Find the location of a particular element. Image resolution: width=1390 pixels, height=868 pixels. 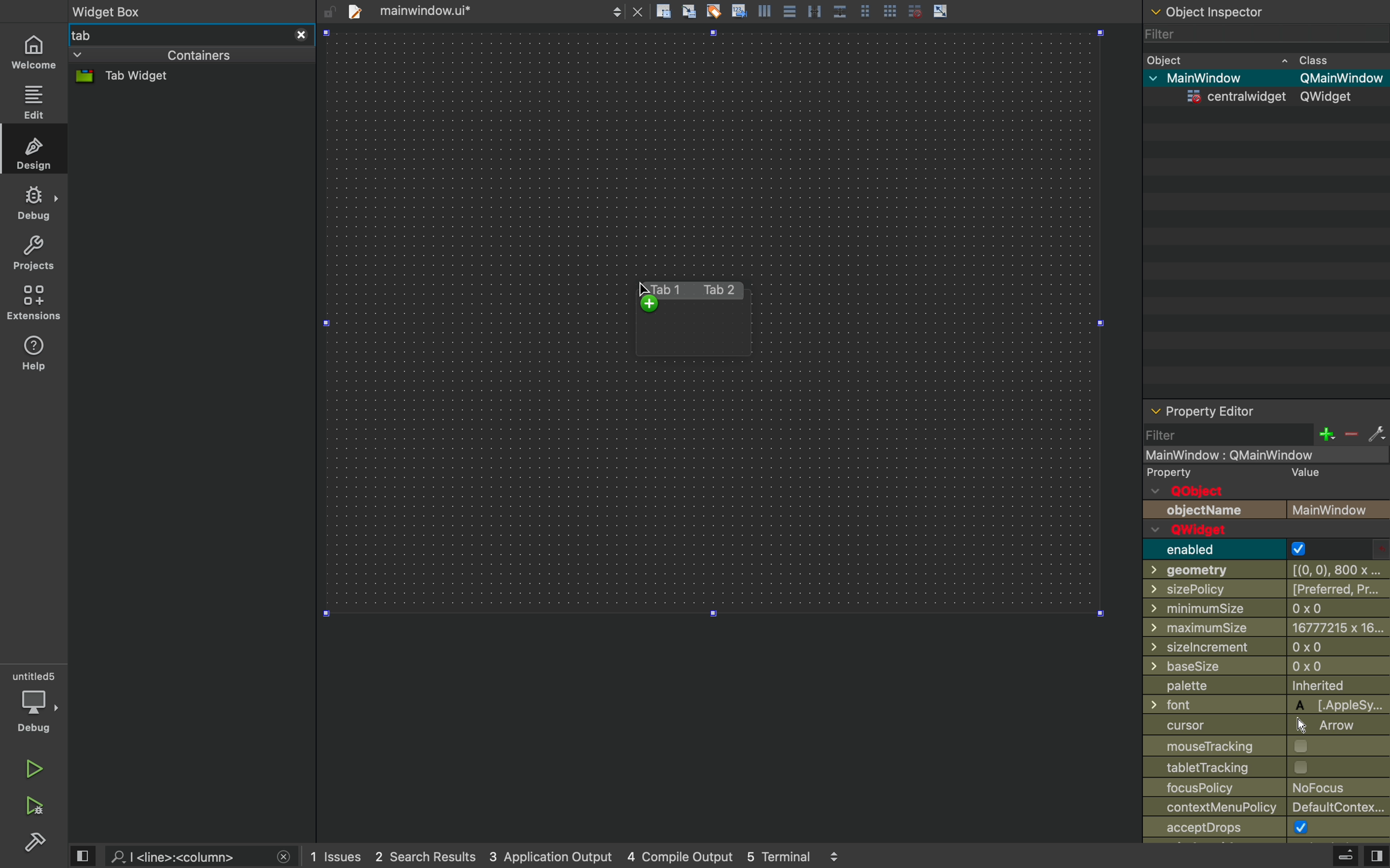

cursor is located at coordinates (647, 297).